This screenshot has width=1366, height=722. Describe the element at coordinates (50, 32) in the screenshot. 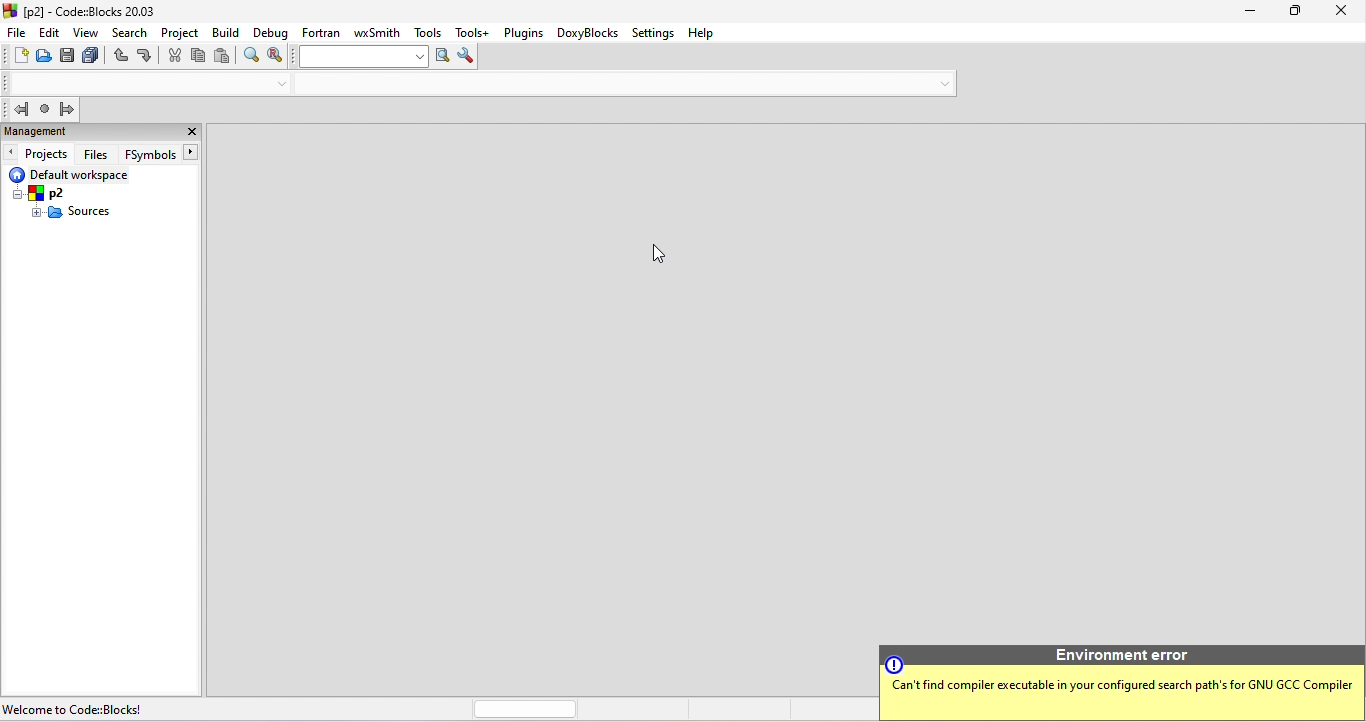

I see `edit` at that location.